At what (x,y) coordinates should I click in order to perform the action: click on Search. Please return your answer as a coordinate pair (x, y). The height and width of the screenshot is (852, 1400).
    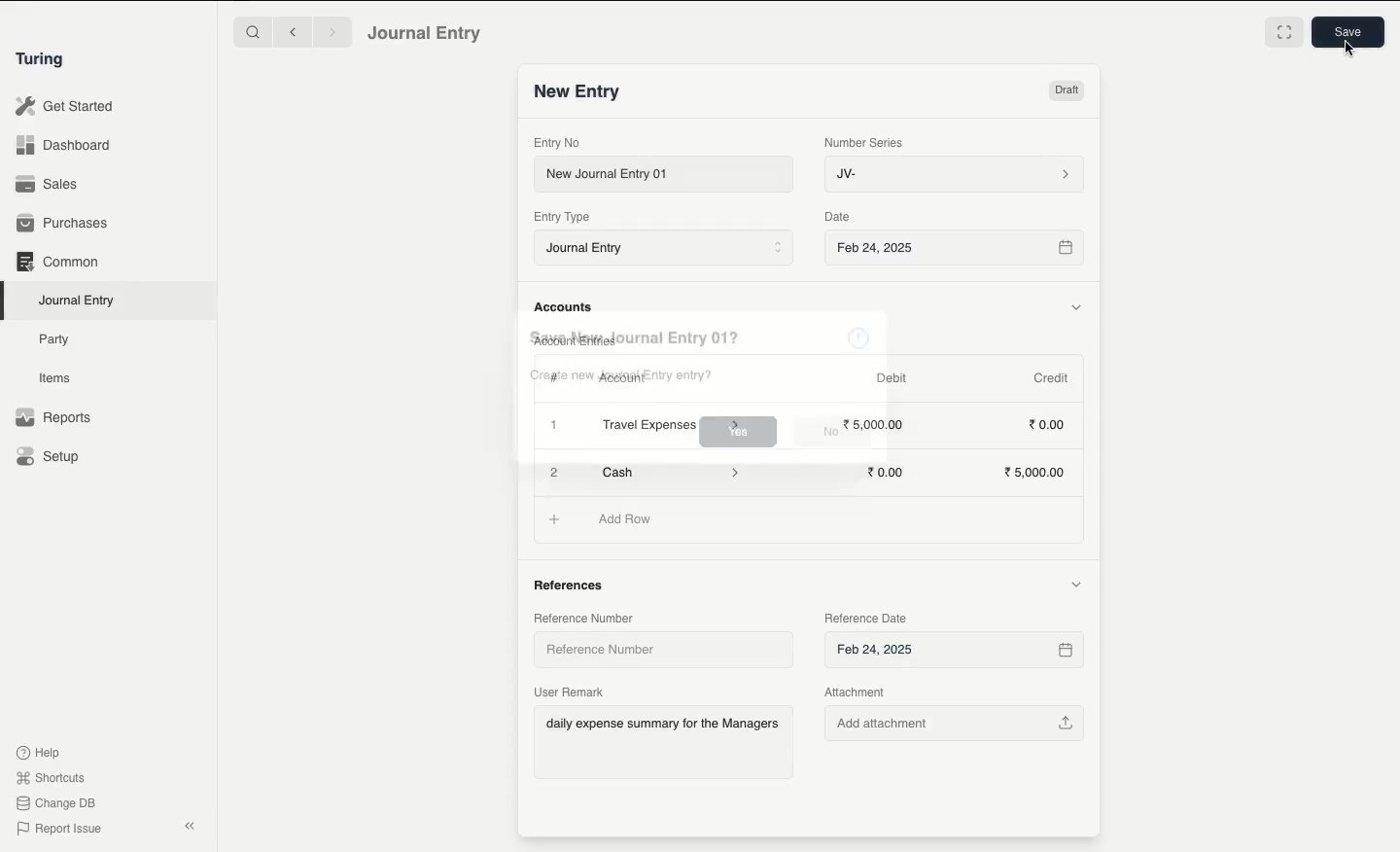
    Looking at the image, I should click on (252, 31).